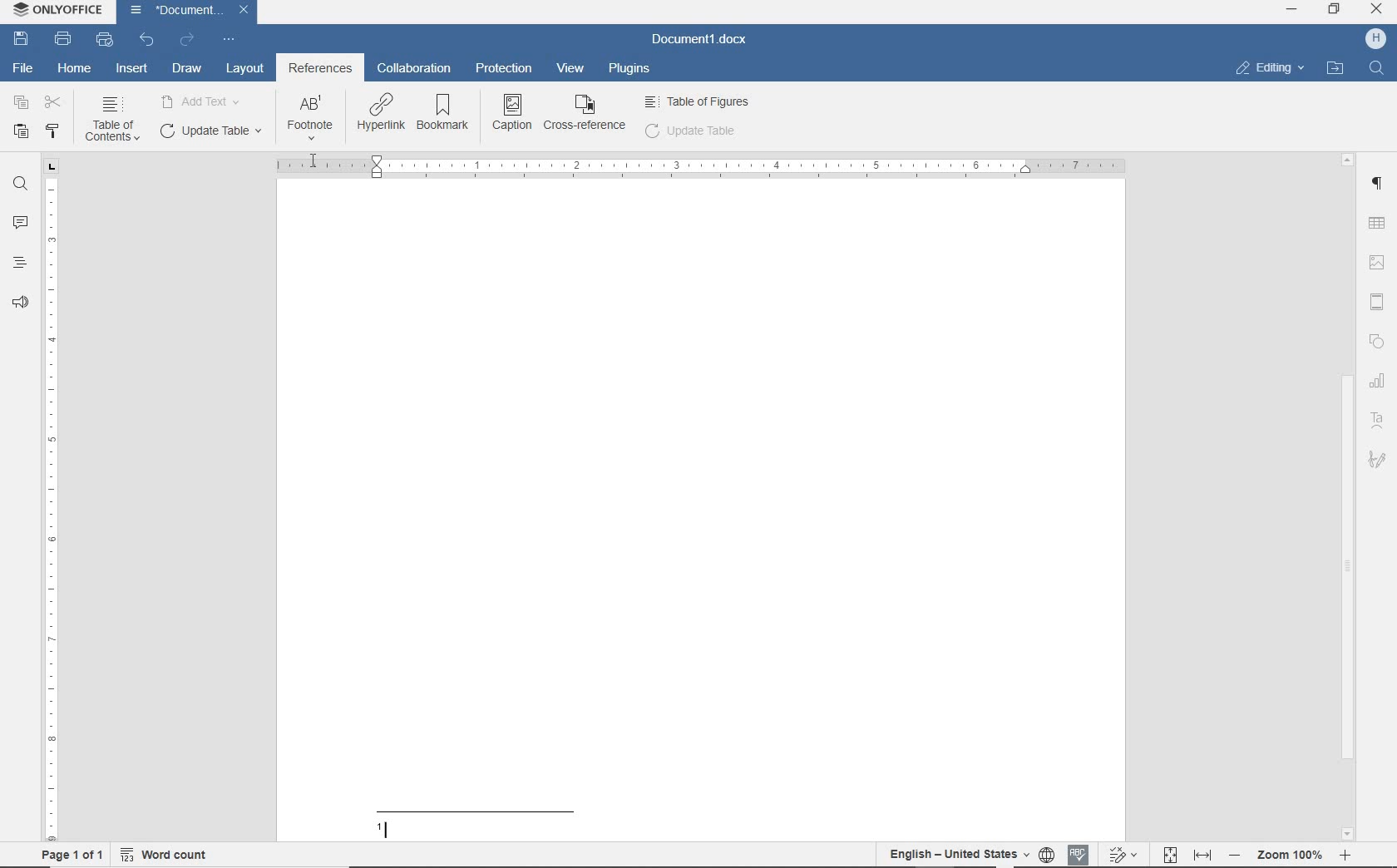  What do you see at coordinates (59, 10) in the screenshot?
I see `system name` at bounding box center [59, 10].